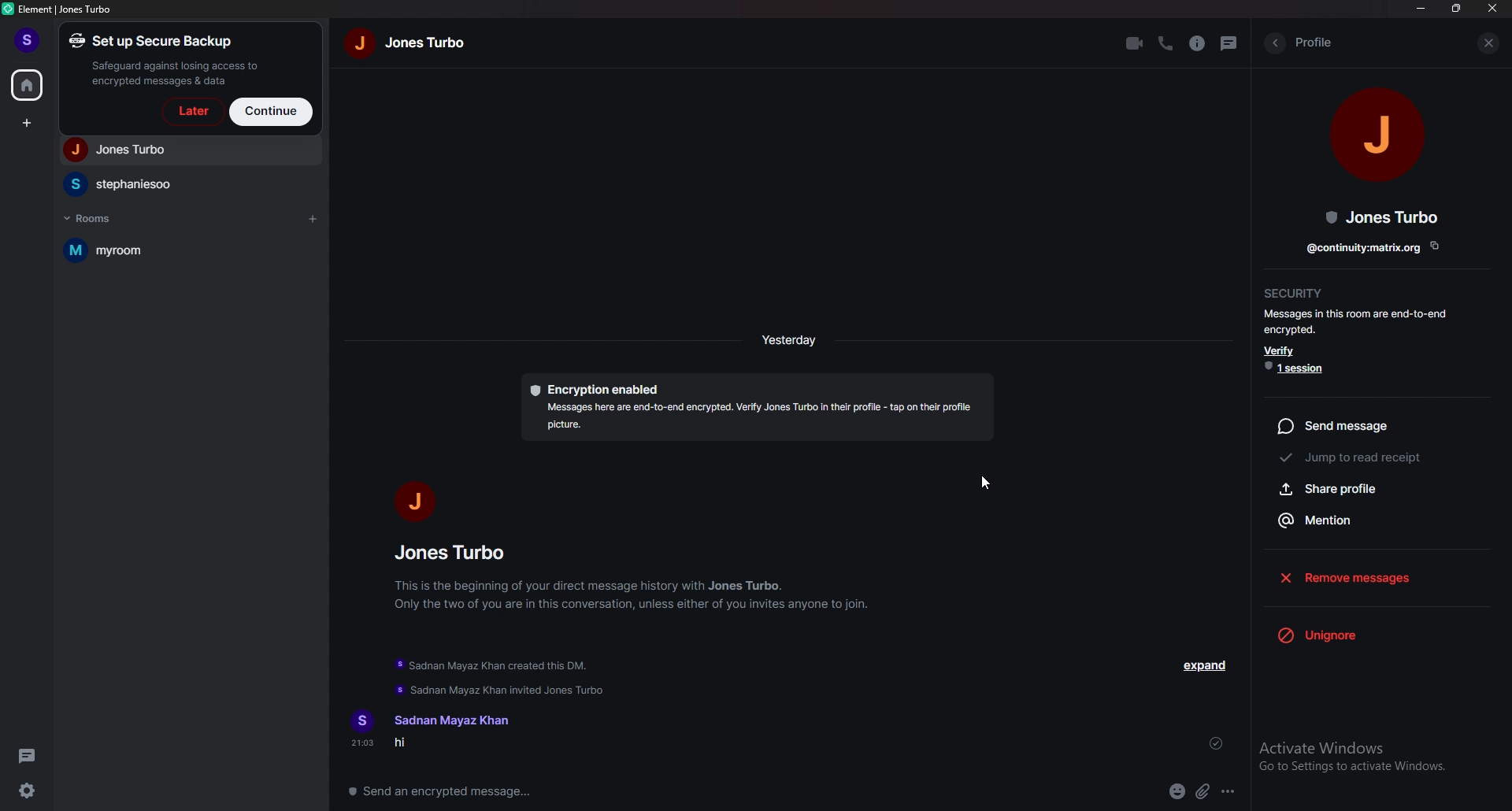 This screenshot has width=1512, height=811. Describe the element at coordinates (1372, 519) in the screenshot. I see `mention` at that location.